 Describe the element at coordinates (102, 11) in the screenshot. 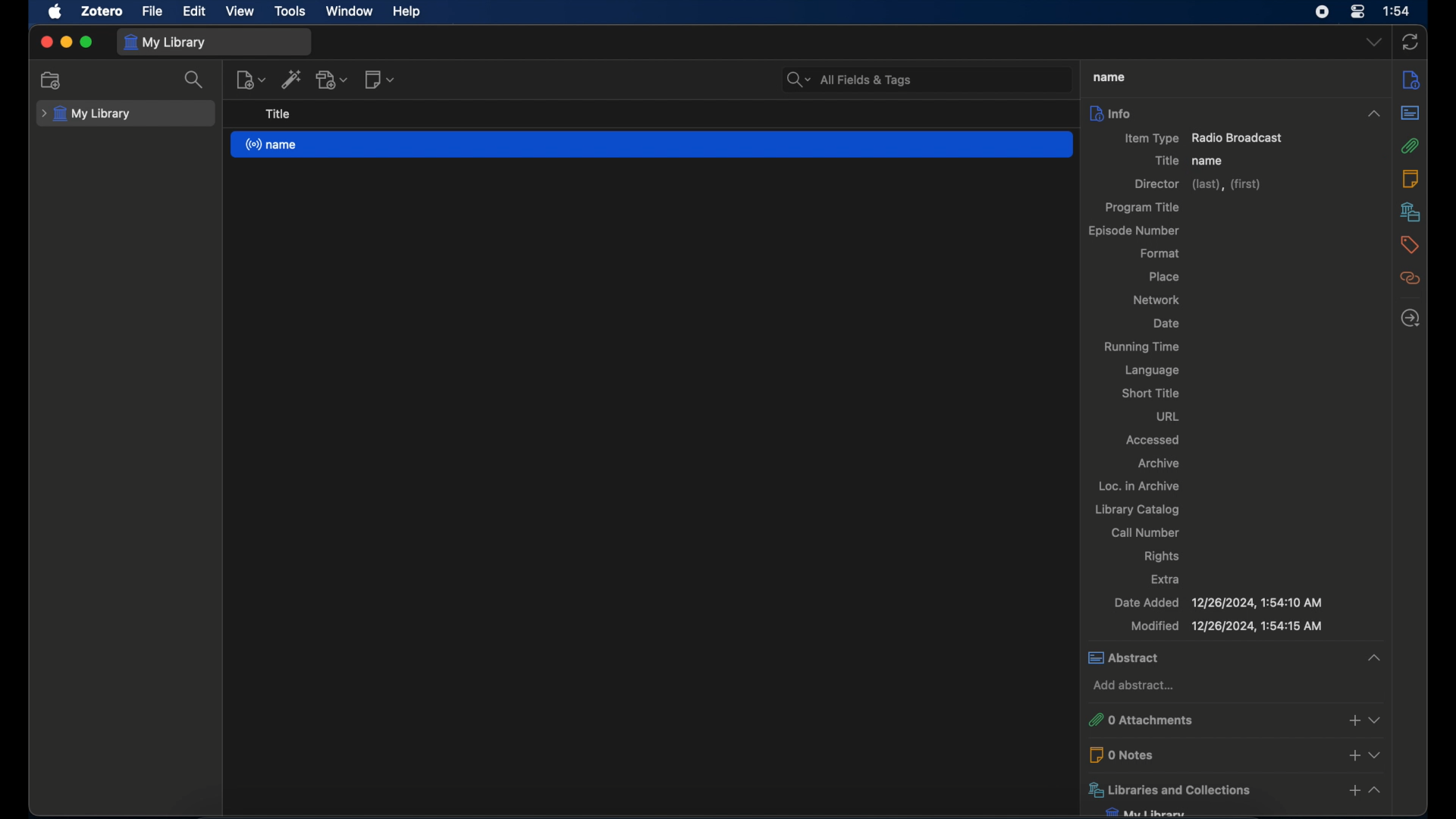

I see `zotero` at that location.